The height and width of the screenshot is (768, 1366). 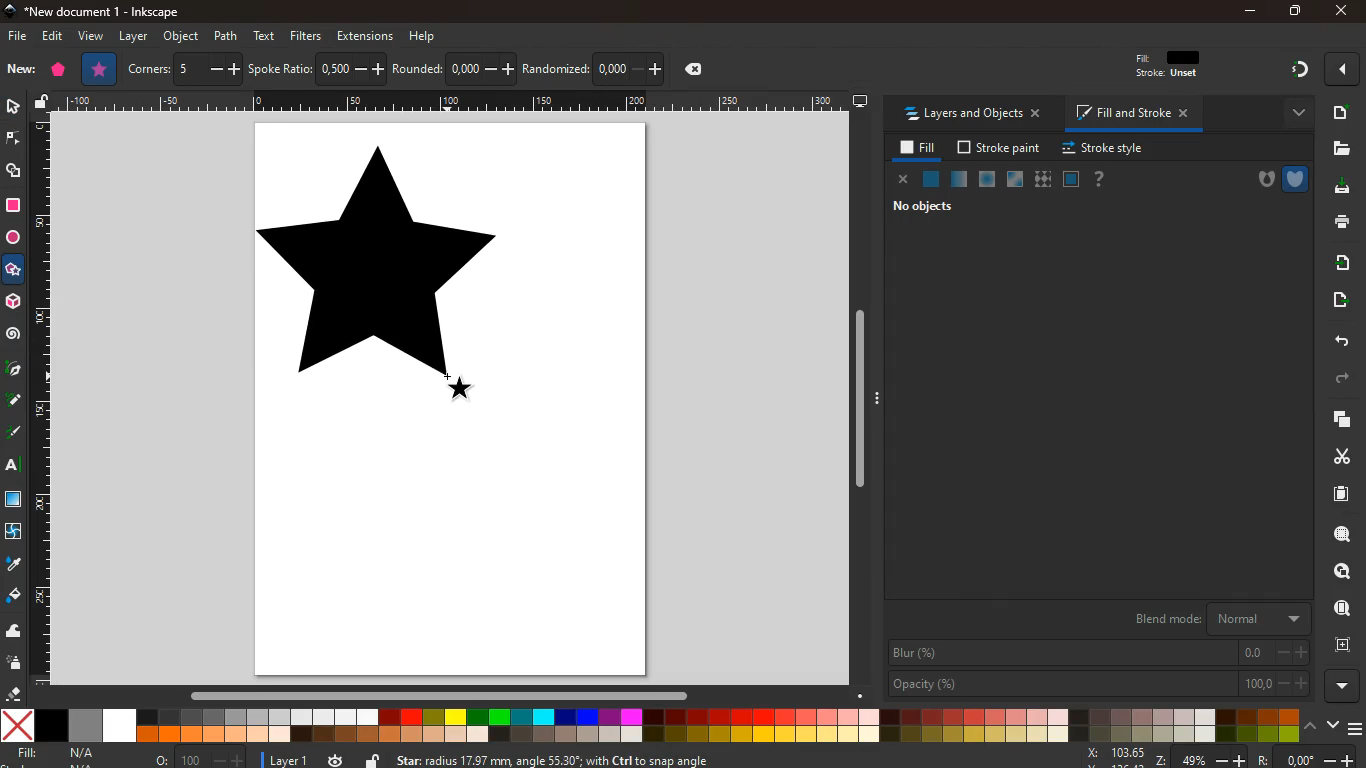 I want to click on corners, so click(x=185, y=69).